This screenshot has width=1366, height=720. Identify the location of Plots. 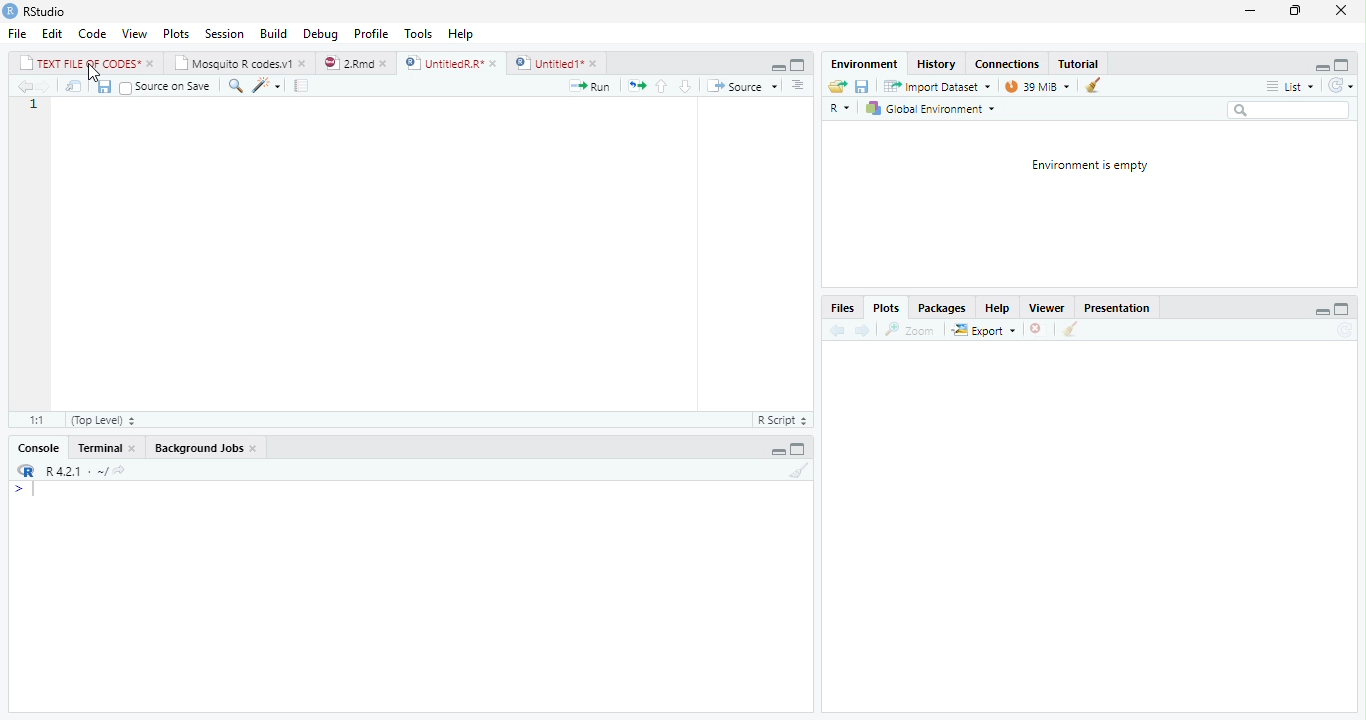
(174, 33).